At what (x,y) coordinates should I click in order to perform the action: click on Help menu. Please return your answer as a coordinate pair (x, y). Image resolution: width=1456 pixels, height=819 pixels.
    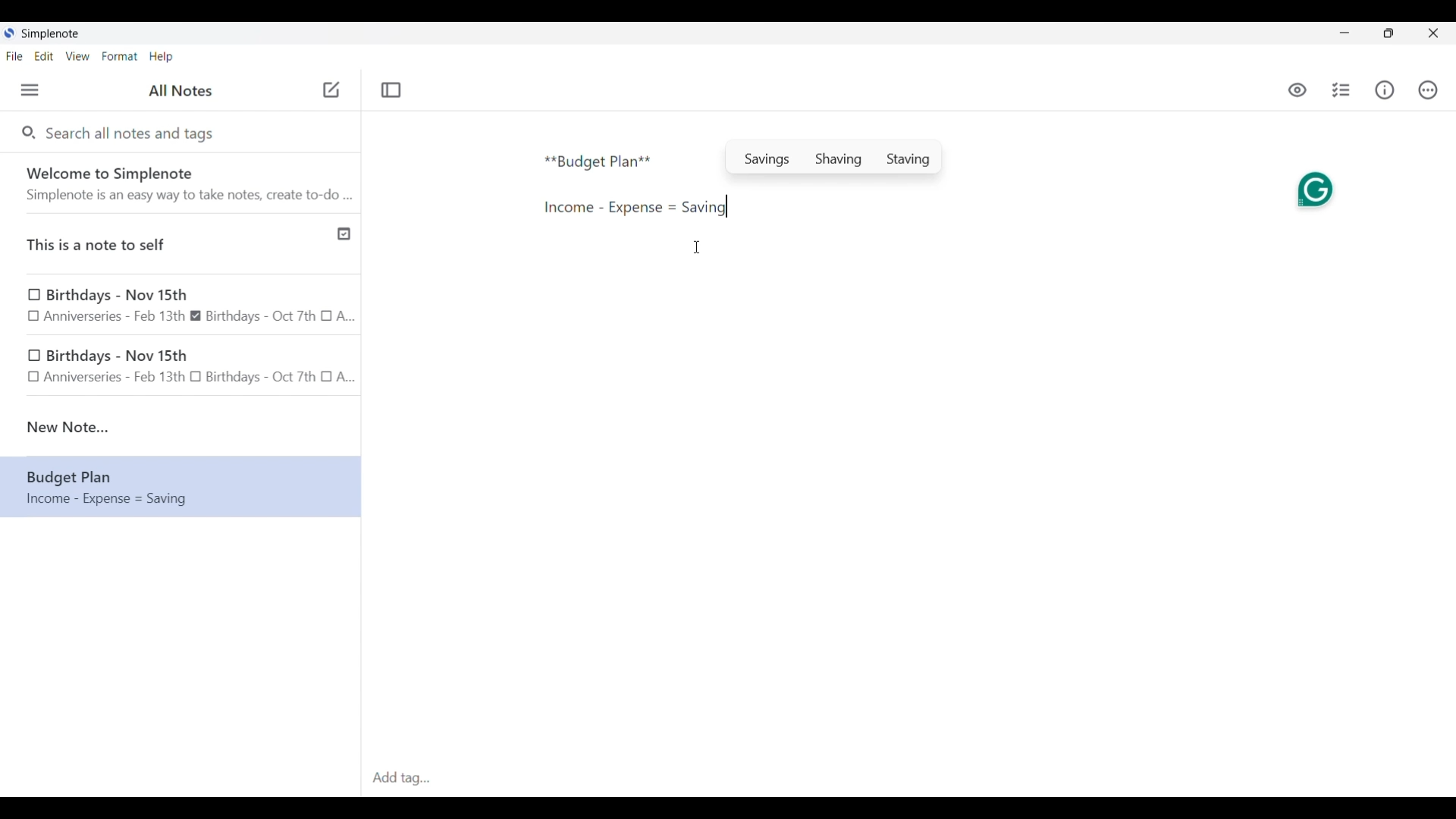
    Looking at the image, I should click on (161, 56).